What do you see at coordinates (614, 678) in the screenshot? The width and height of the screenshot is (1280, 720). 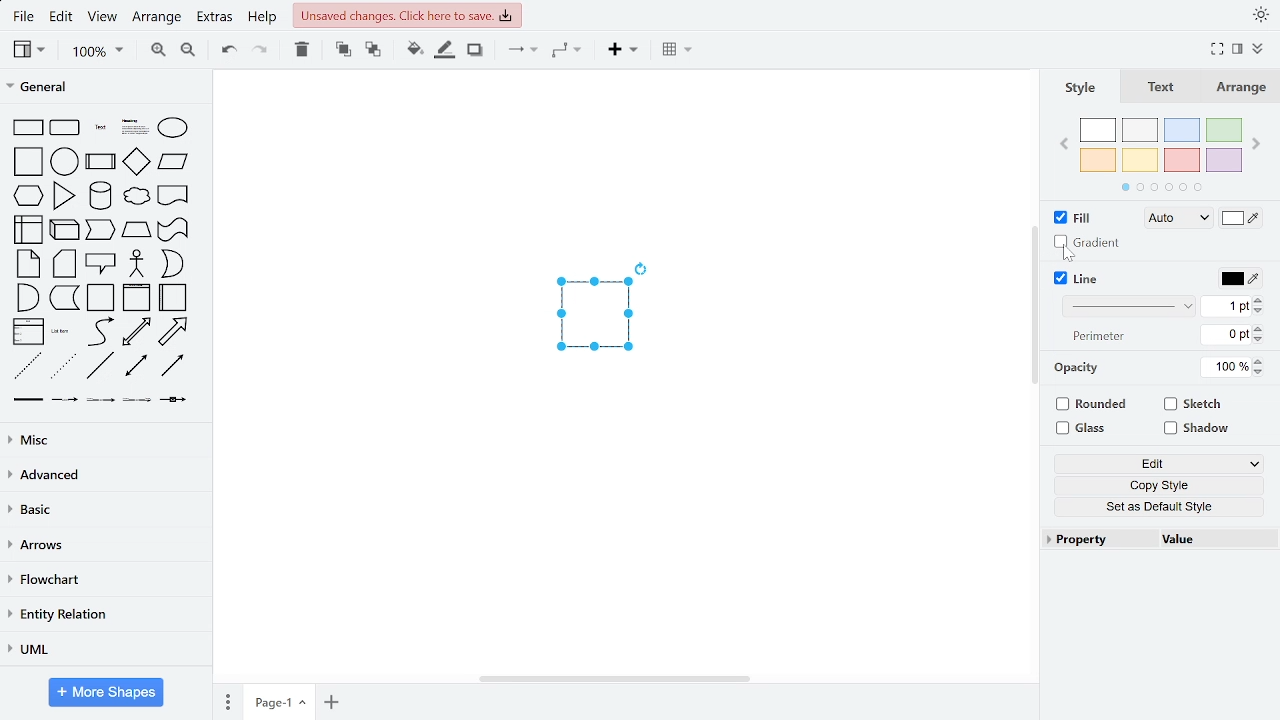 I see `horizontal scrollbar` at bounding box center [614, 678].